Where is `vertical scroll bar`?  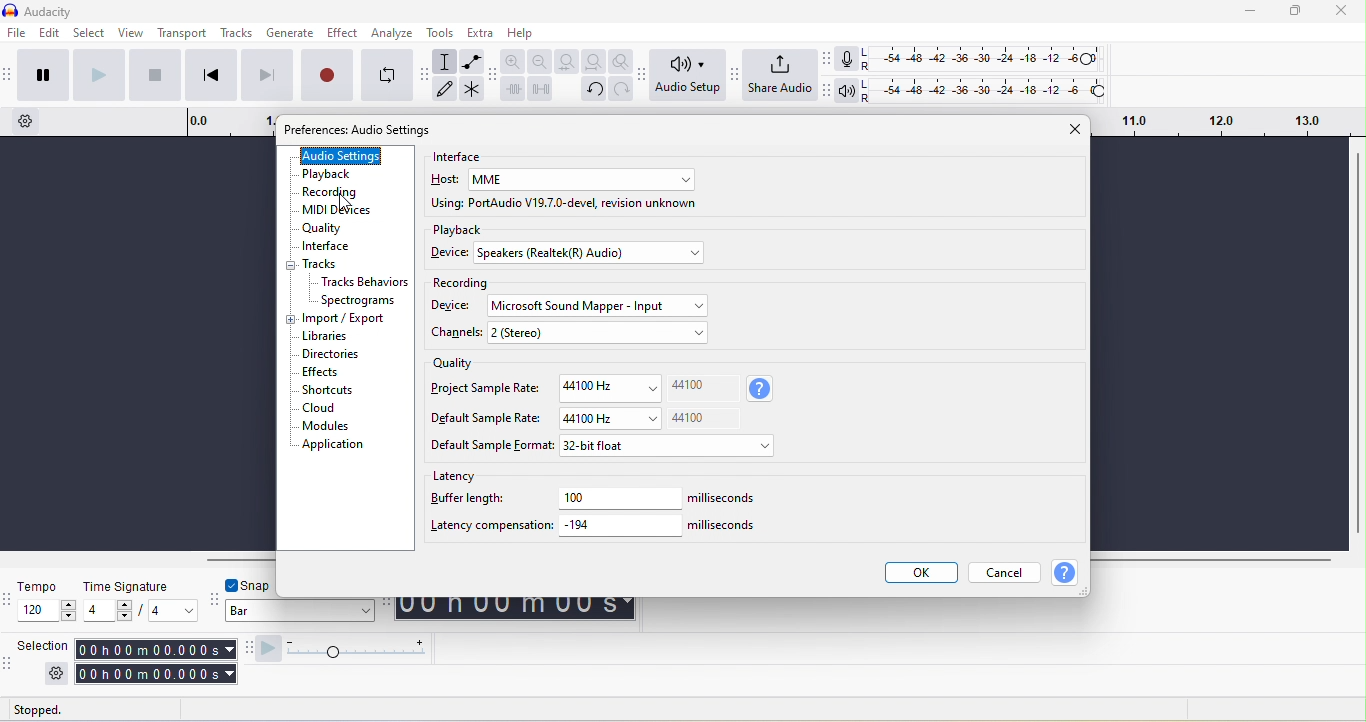
vertical scroll bar is located at coordinates (1356, 342).